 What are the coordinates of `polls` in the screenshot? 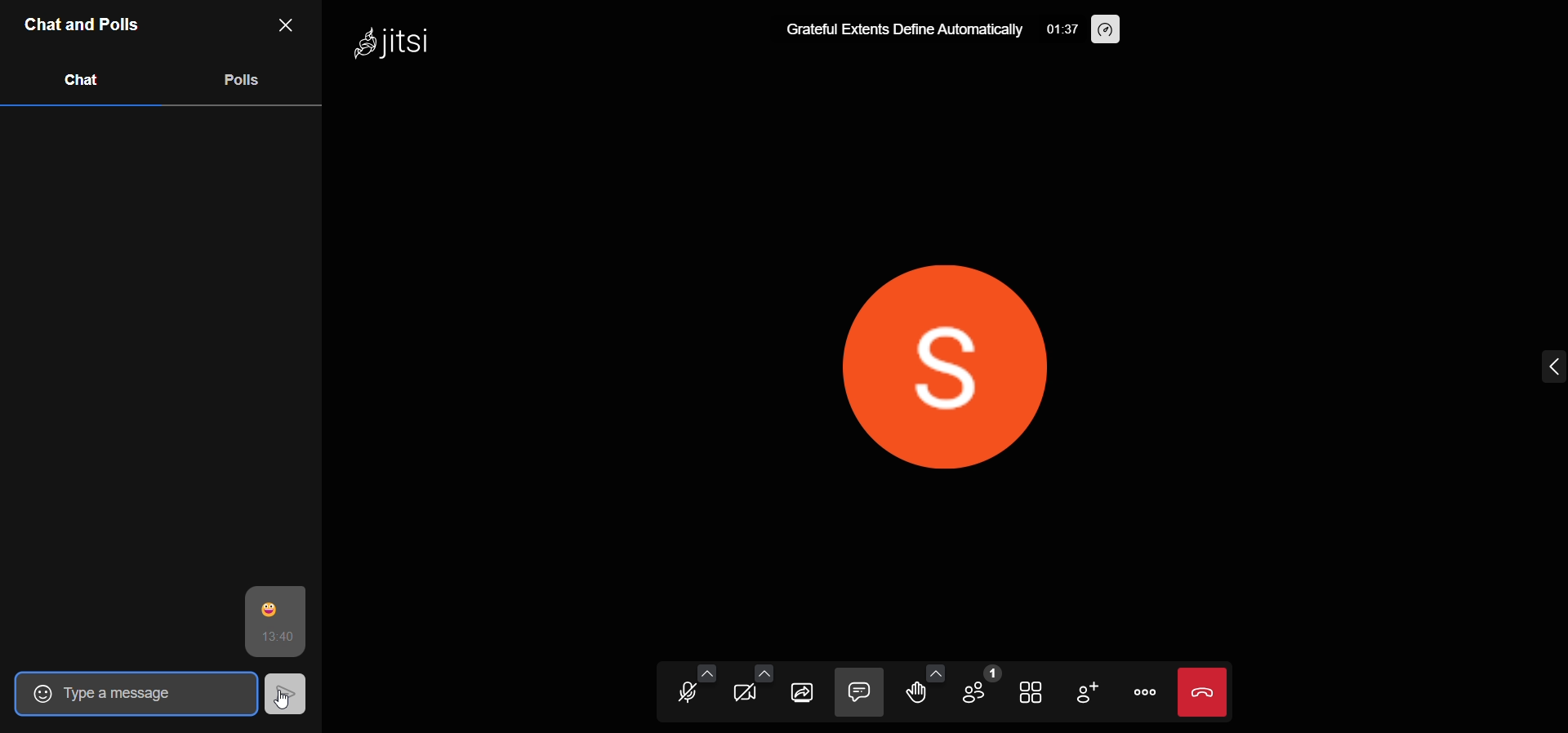 It's located at (243, 81).